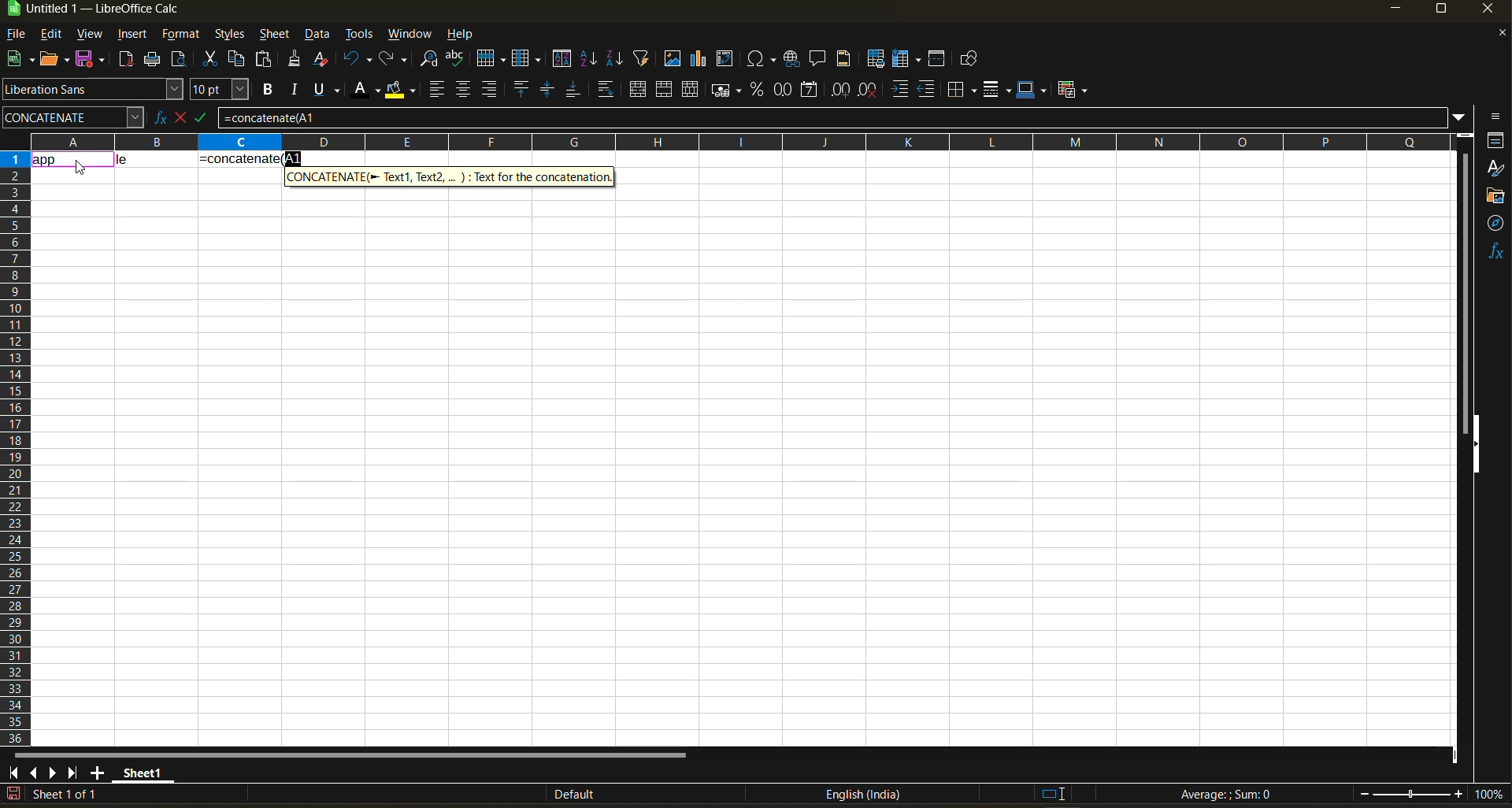 This screenshot has width=1512, height=808. Describe the element at coordinates (590, 60) in the screenshot. I see `sort ascending` at that location.